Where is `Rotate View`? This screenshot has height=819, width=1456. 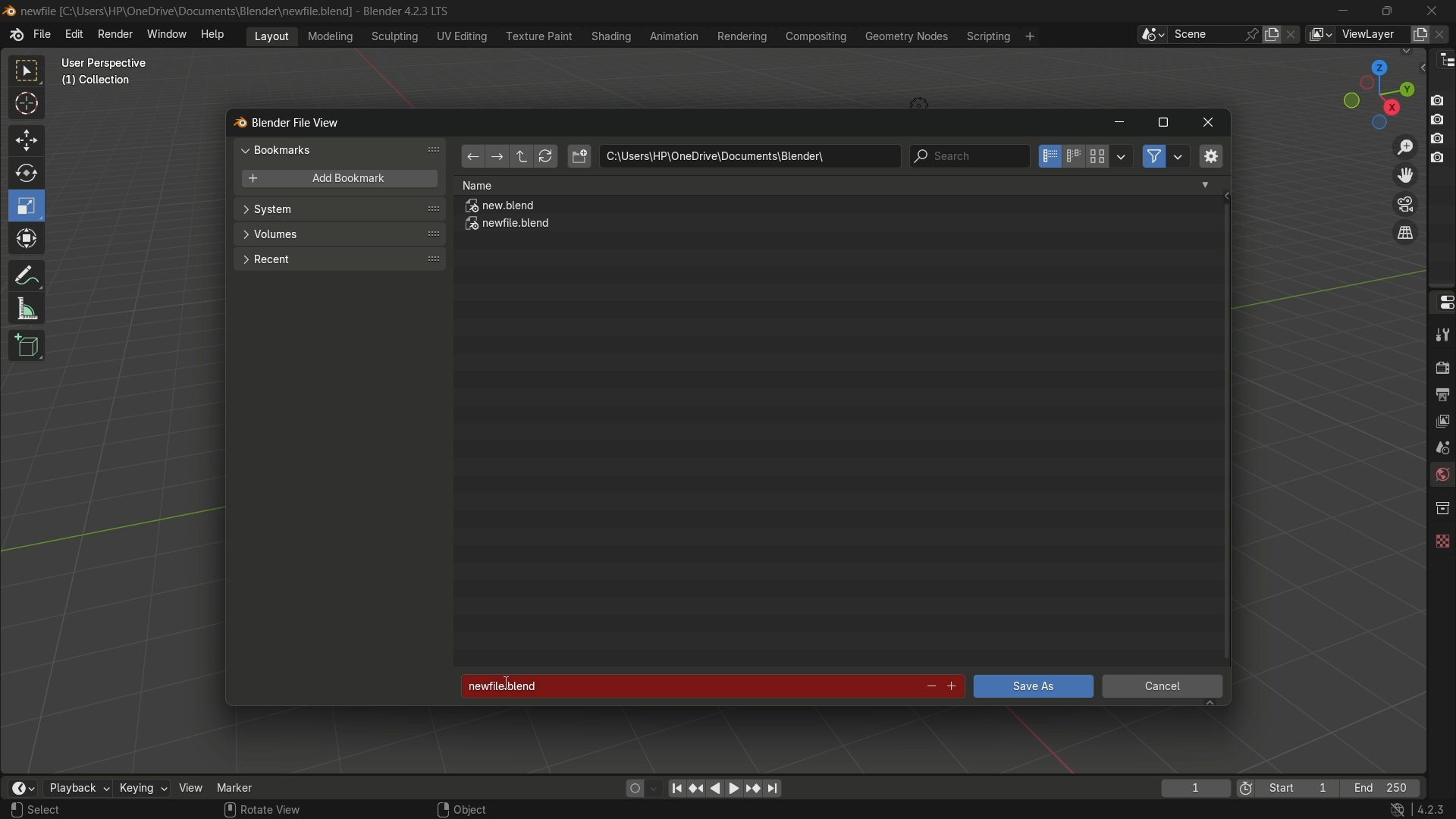
Rotate View is located at coordinates (262, 810).